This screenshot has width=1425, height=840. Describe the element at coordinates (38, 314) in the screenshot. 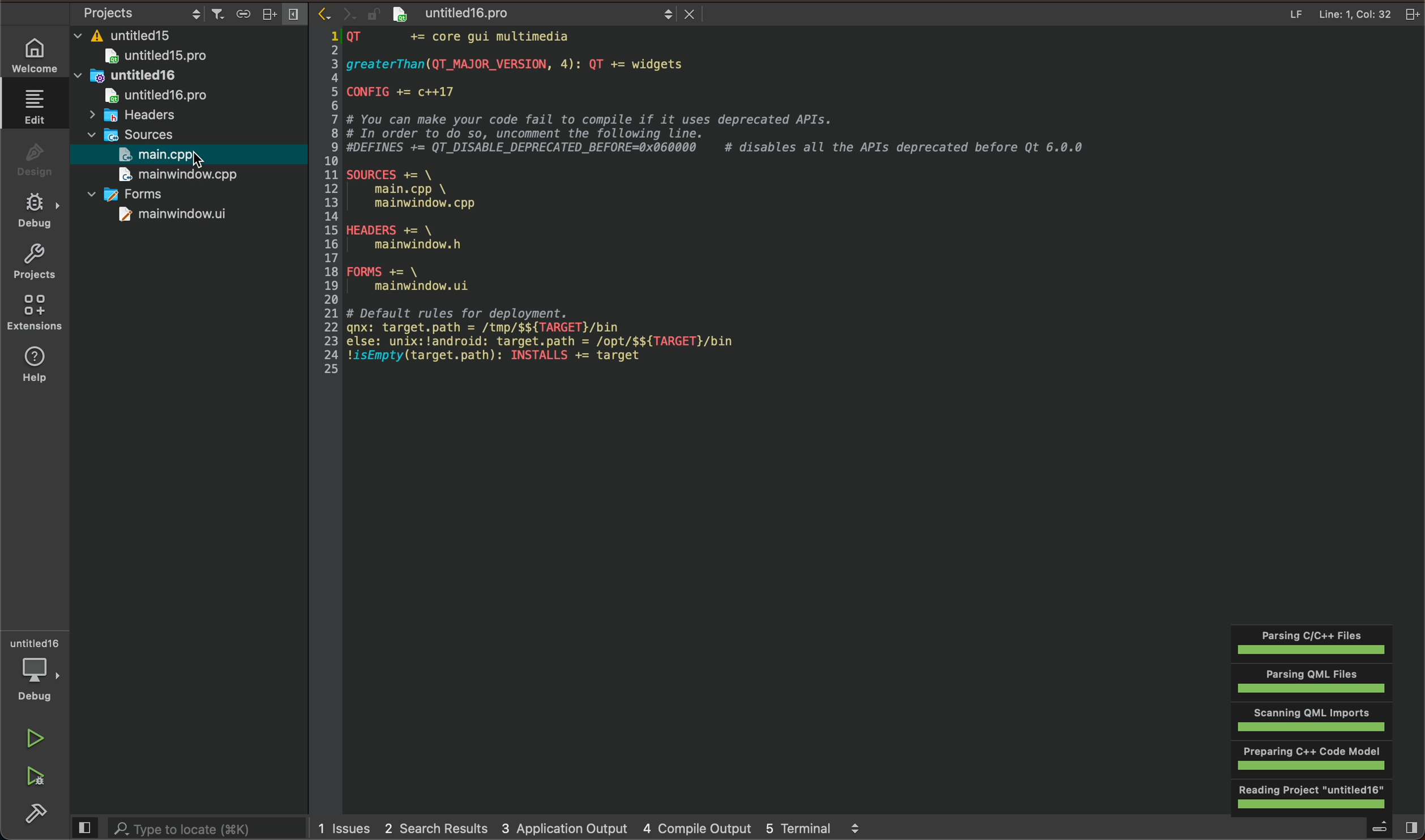

I see `Extension ` at that location.